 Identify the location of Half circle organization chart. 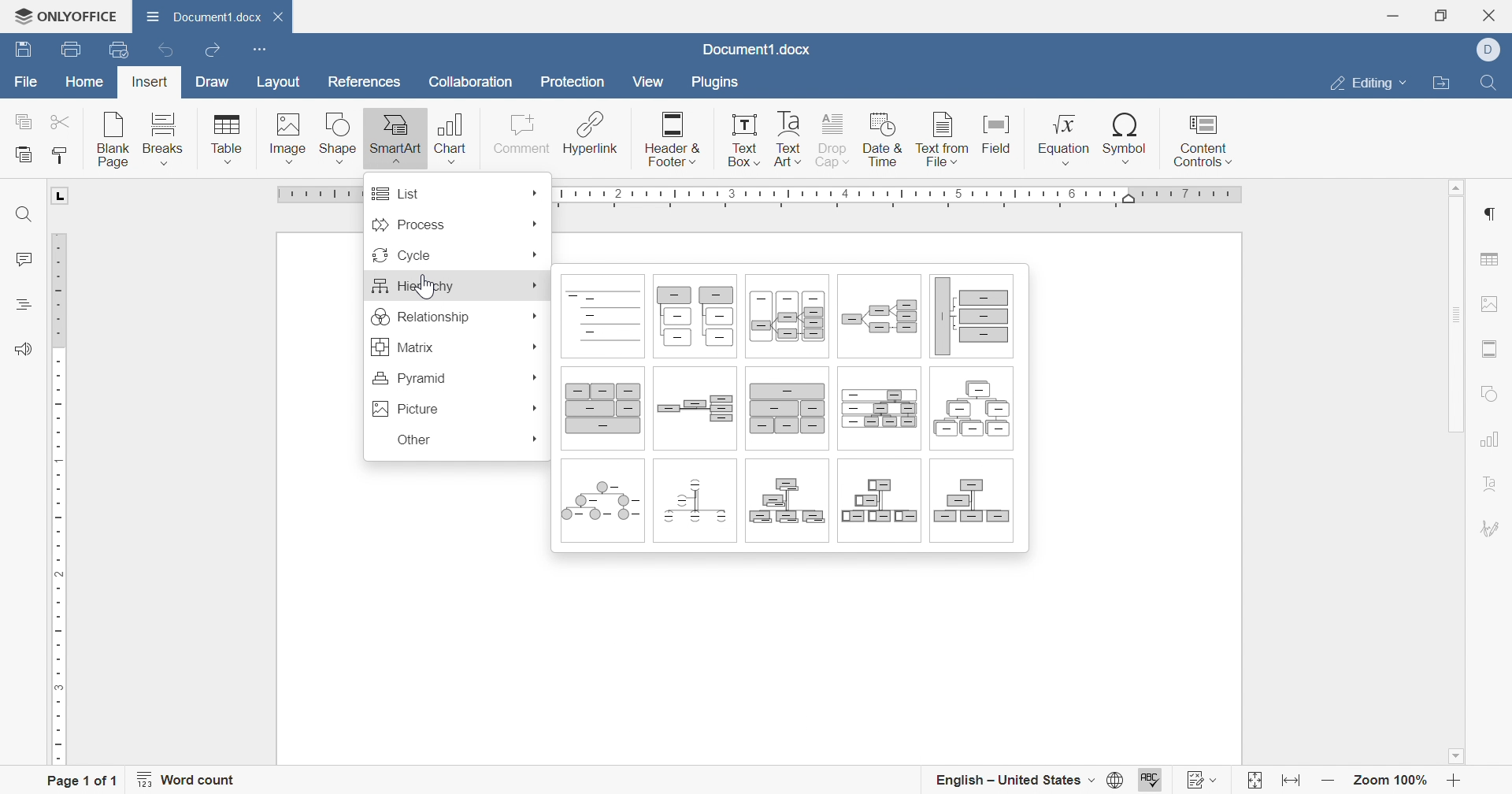
(696, 504).